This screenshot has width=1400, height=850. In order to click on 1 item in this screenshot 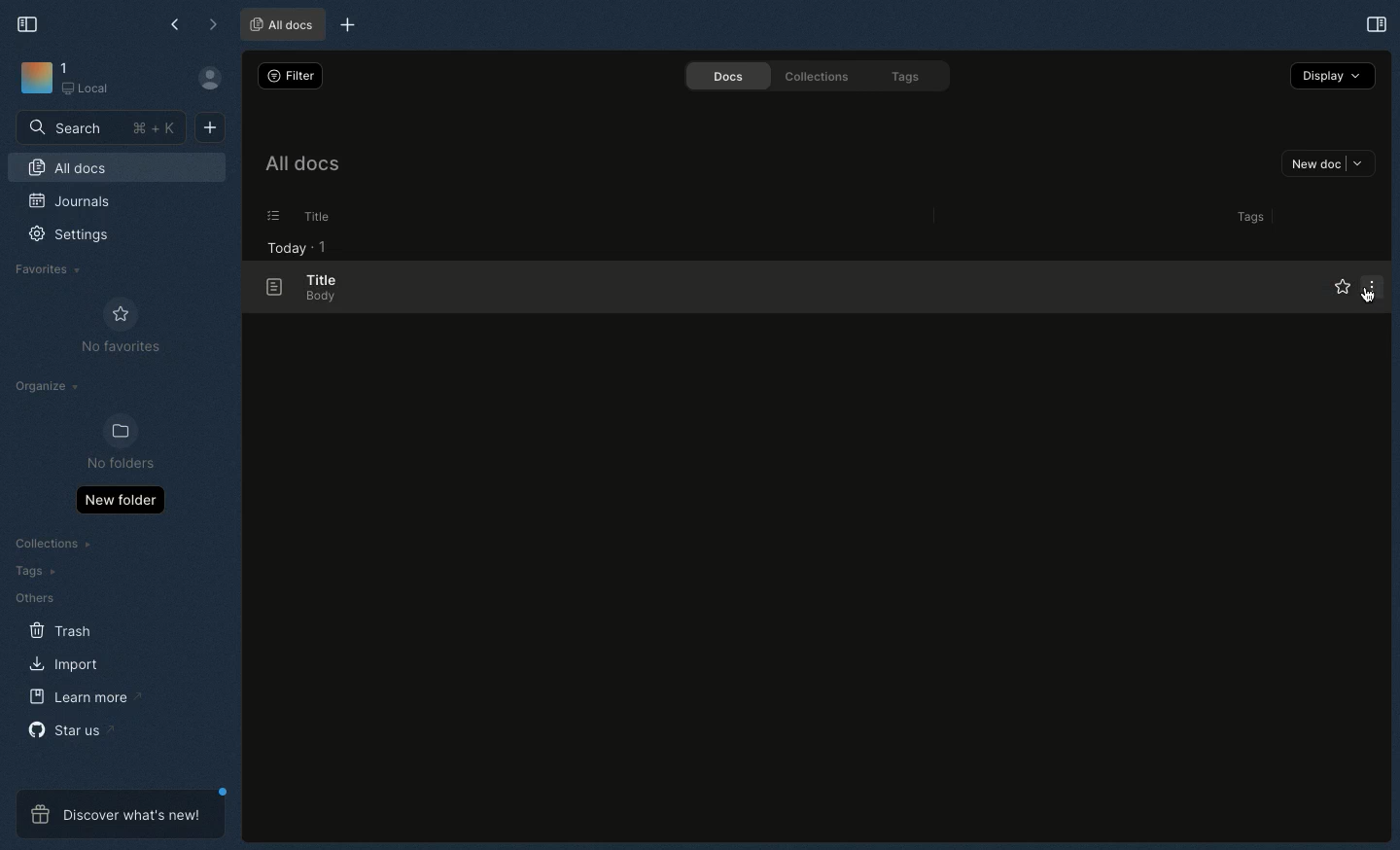, I will do `click(323, 246)`.